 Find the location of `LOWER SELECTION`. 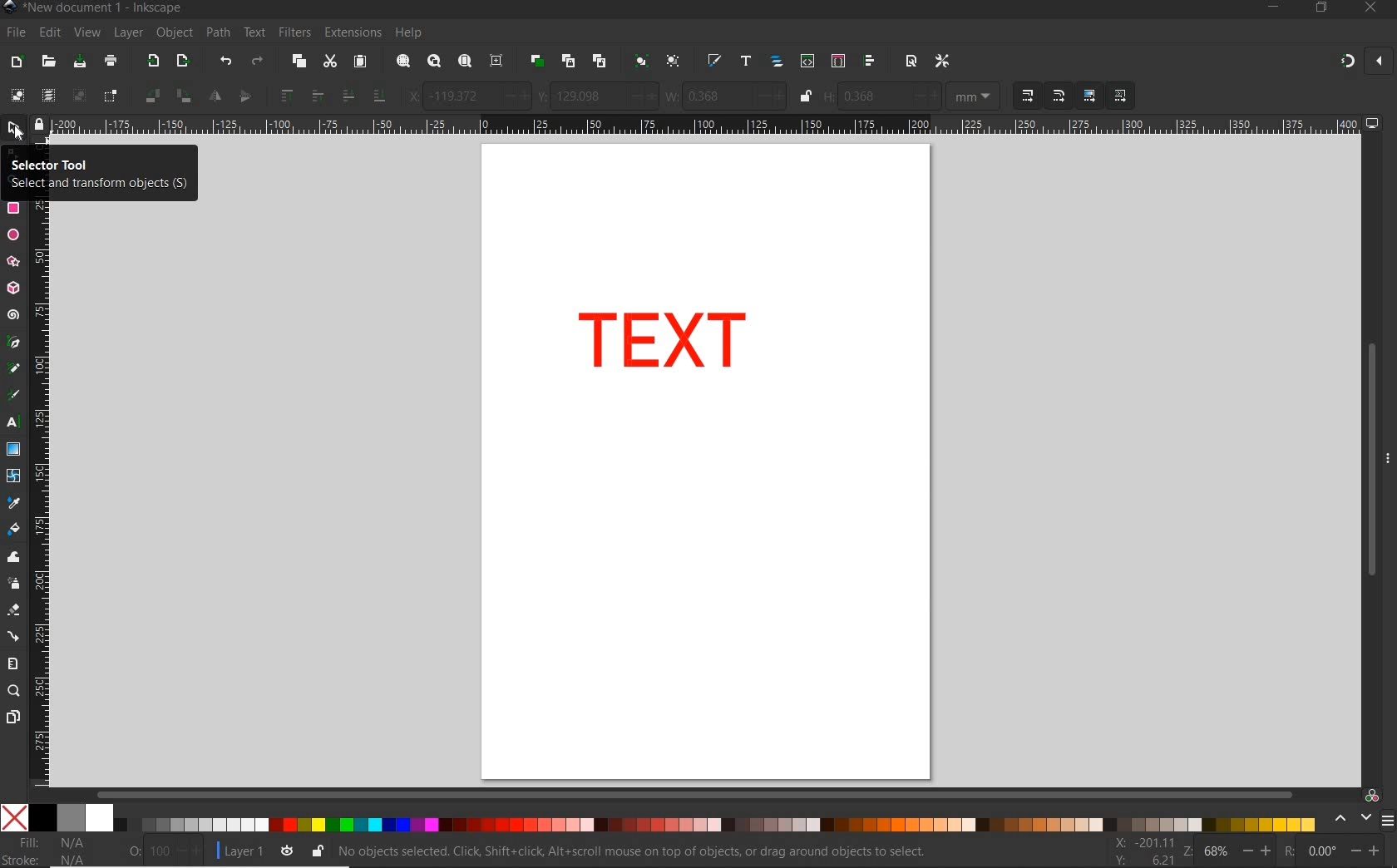

LOWER SELECTION is located at coordinates (362, 96).